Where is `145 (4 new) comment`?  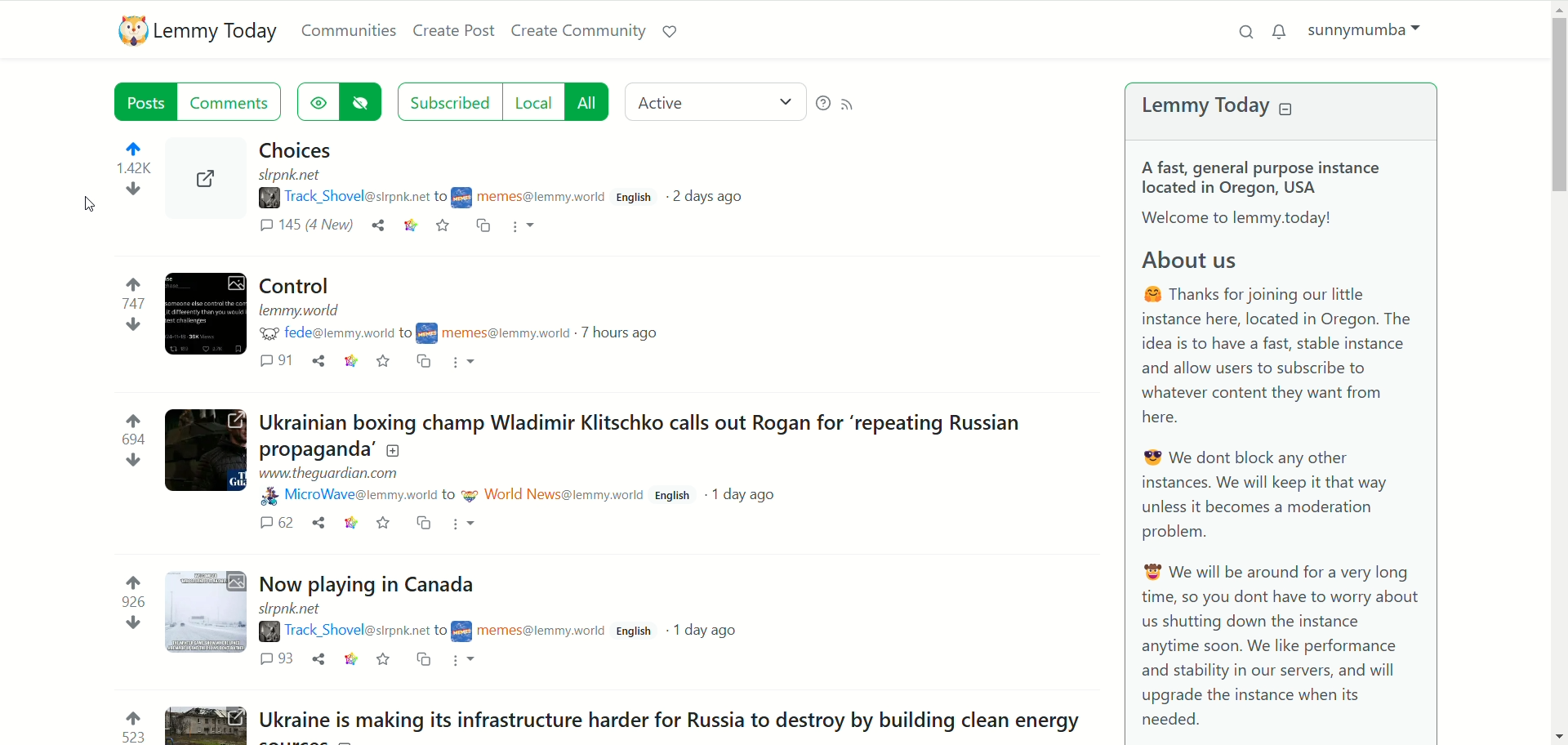
145 (4 new) comment is located at coordinates (305, 225).